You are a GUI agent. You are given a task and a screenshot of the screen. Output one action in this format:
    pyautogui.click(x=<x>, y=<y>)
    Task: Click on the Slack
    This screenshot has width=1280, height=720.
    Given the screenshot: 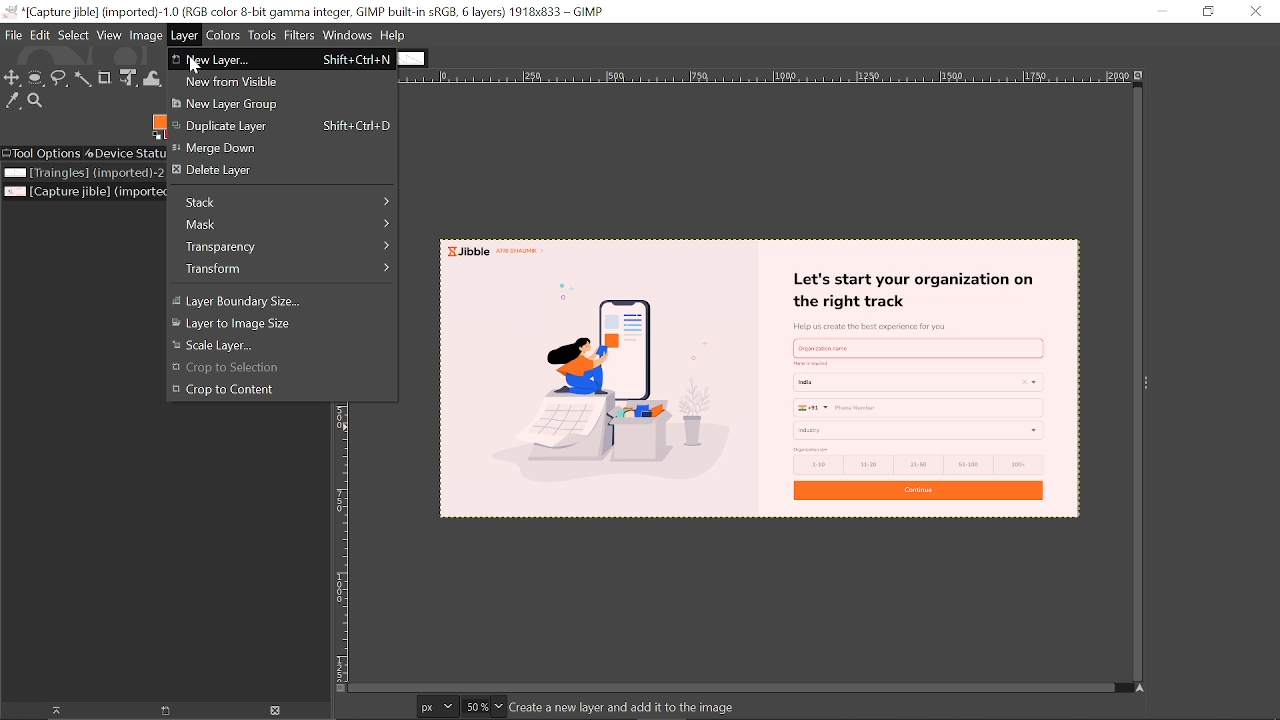 What is the action you would take?
    pyautogui.click(x=287, y=201)
    